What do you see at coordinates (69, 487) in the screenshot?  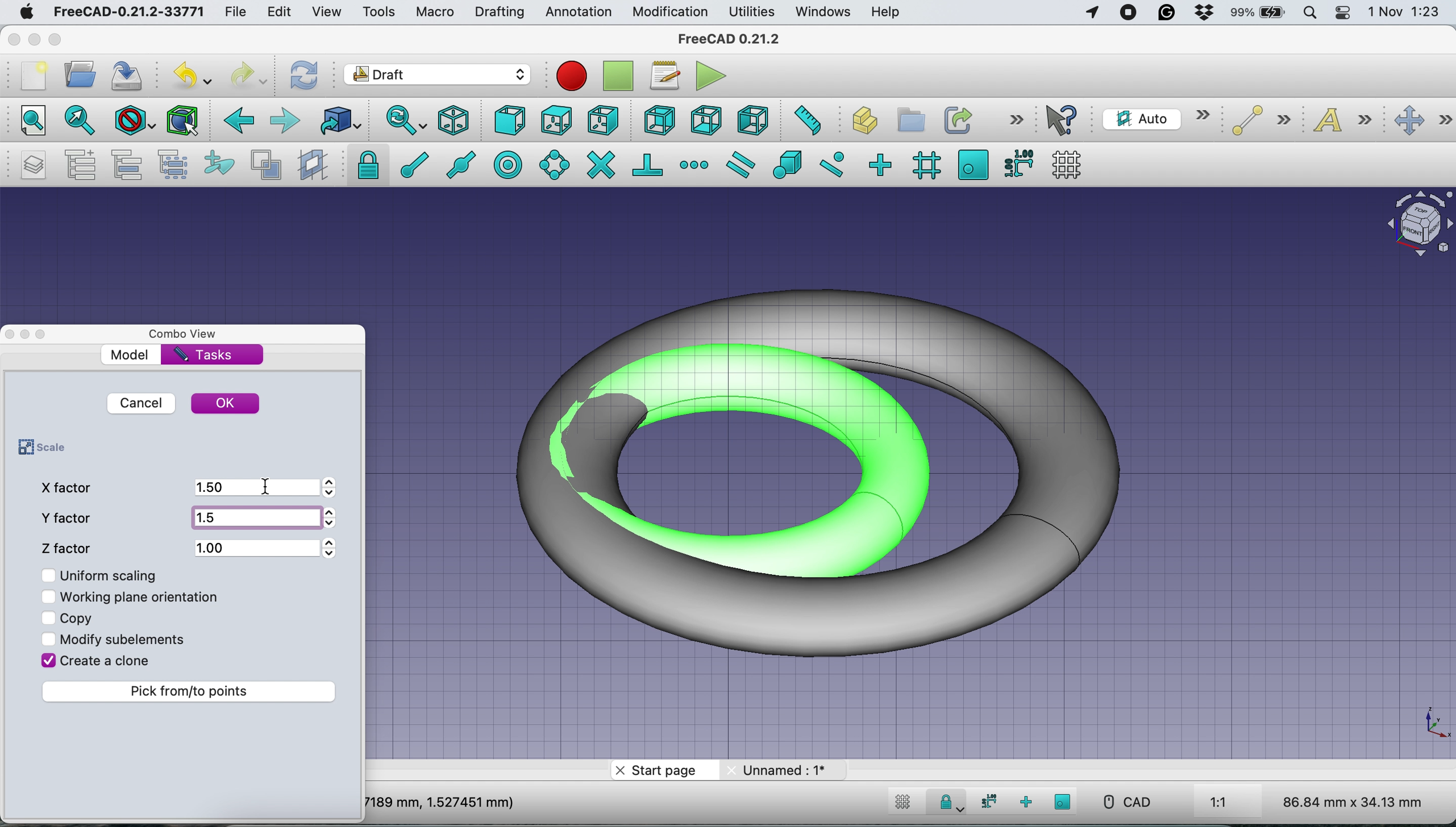 I see `x factor` at bounding box center [69, 487].